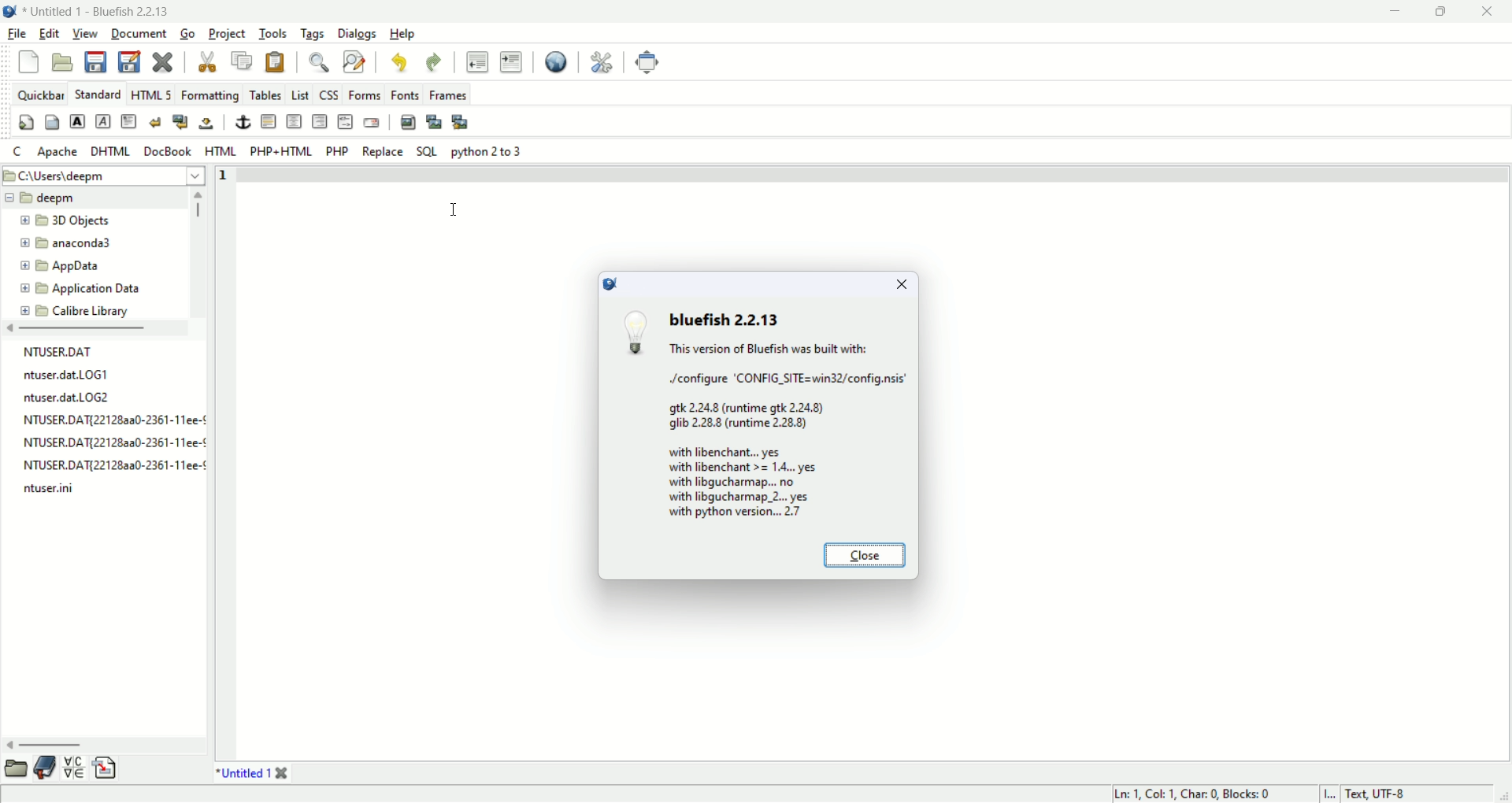  What do you see at coordinates (321, 63) in the screenshot?
I see `find` at bounding box center [321, 63].